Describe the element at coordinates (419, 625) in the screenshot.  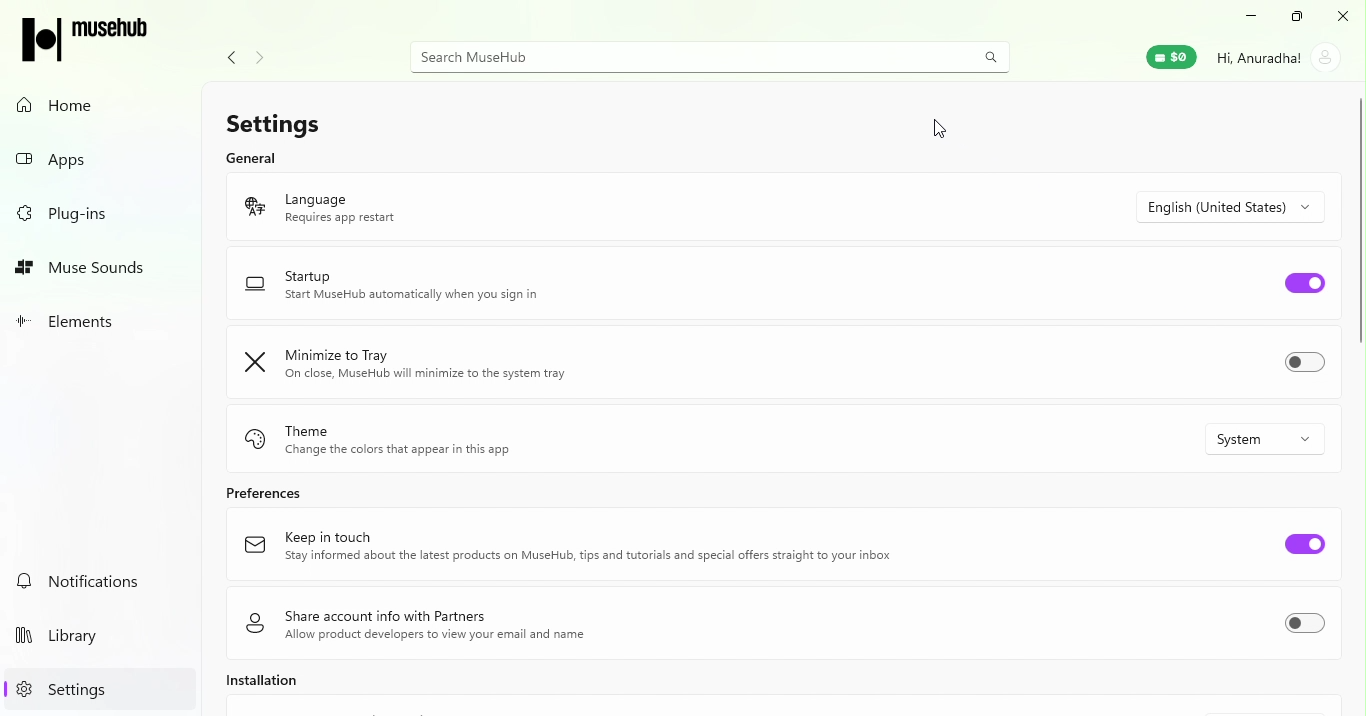
I see `Share account info with partners` at that location.